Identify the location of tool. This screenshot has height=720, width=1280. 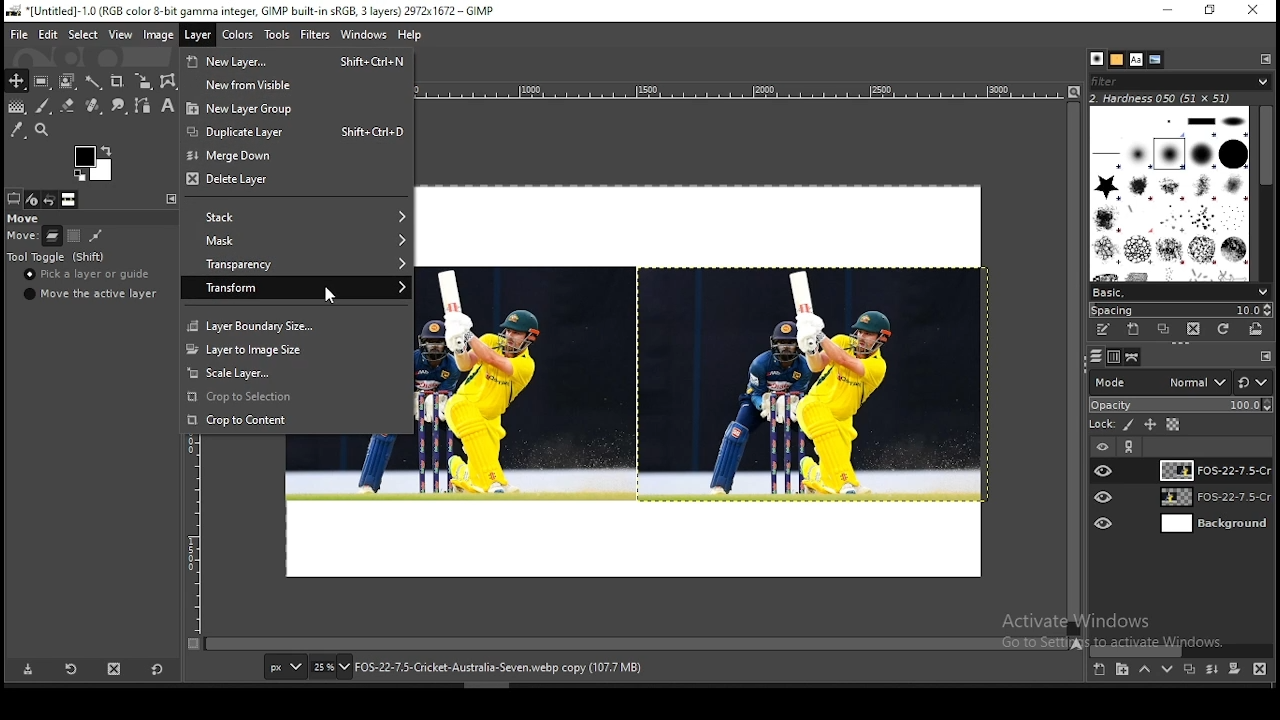
(1131, 447).